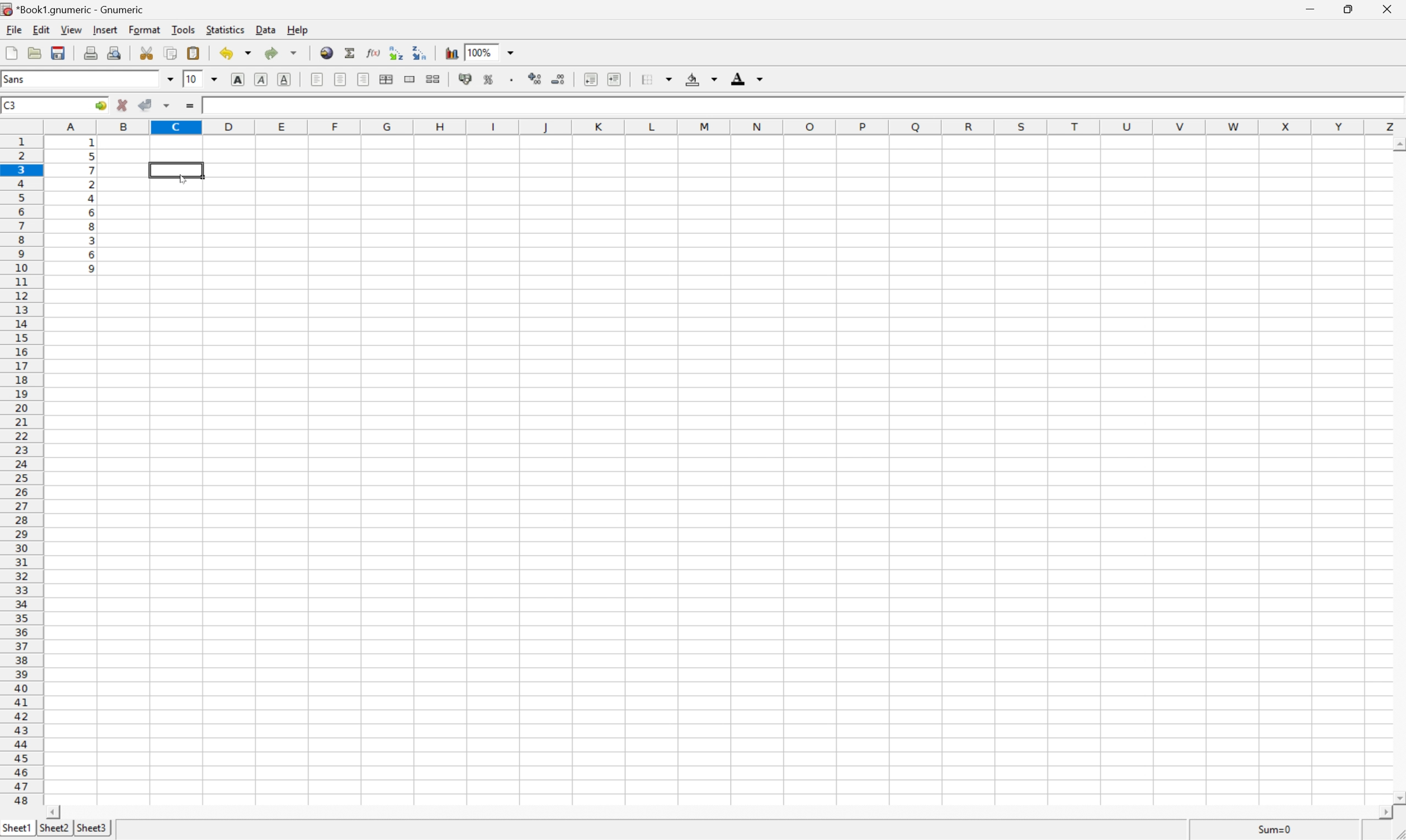 Image resolution: width=1406 pixels, height=840 pixels. What do you see at coordinates (618, 80) in the screenshot?
I see `increase indent` at bounding box center [618, 80].